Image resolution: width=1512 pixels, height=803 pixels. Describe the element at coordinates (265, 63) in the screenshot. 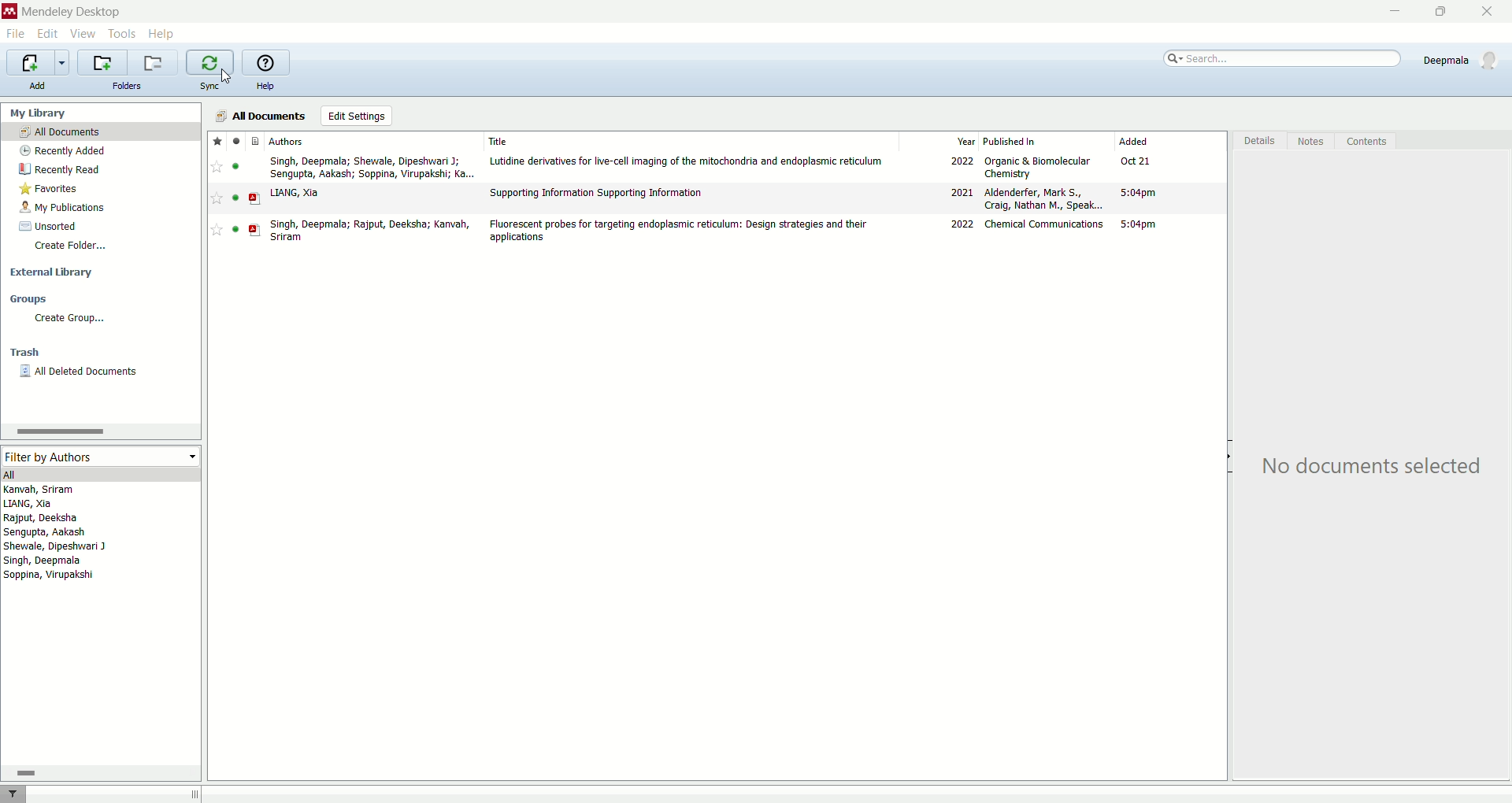

I see `online help guide for mendeley` at that location.